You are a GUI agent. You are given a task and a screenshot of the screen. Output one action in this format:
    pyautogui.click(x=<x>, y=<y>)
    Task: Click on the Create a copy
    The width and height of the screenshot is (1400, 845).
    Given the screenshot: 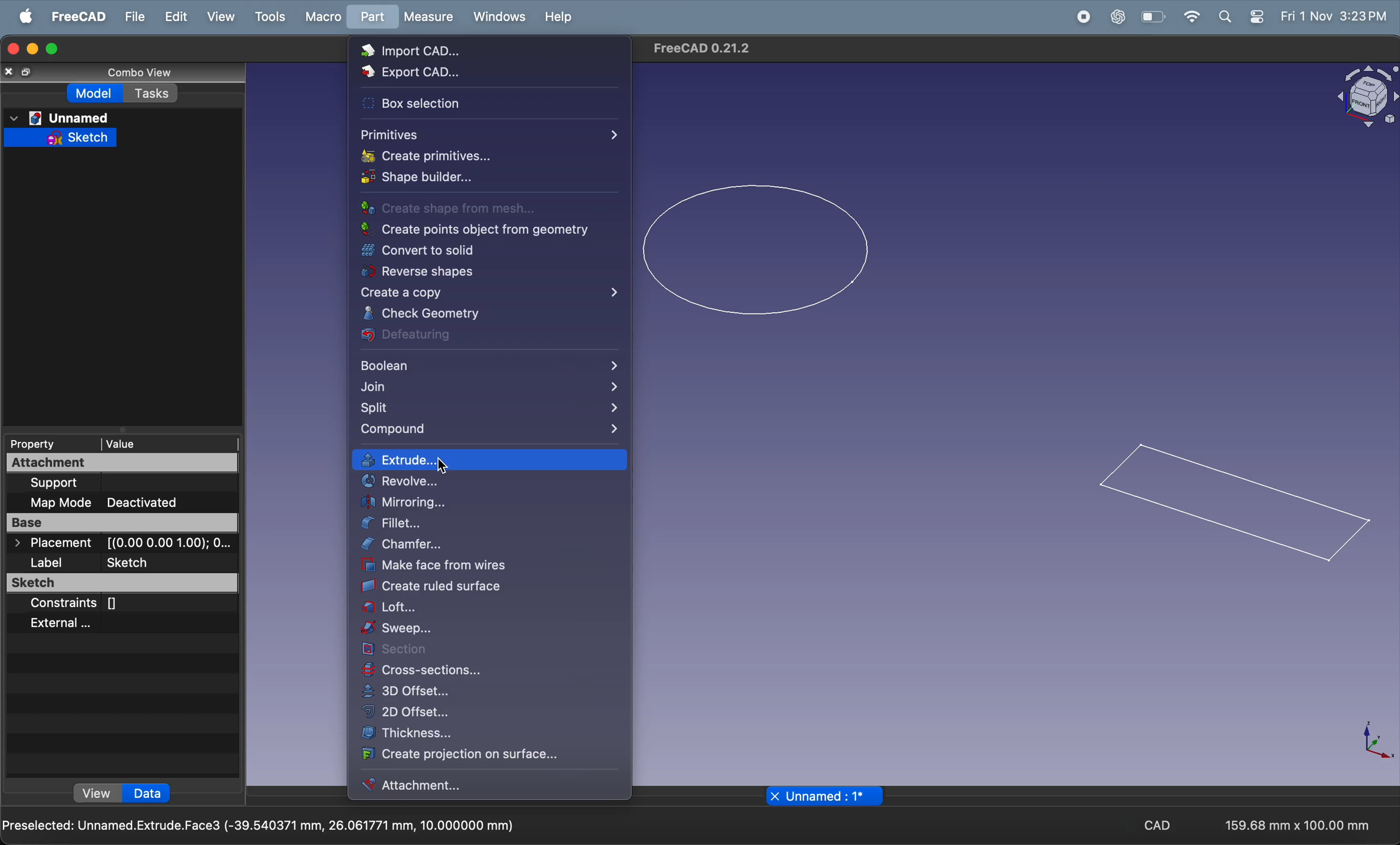 What is the action you would take?
    pyautogui.click(x=491, y=291)
    